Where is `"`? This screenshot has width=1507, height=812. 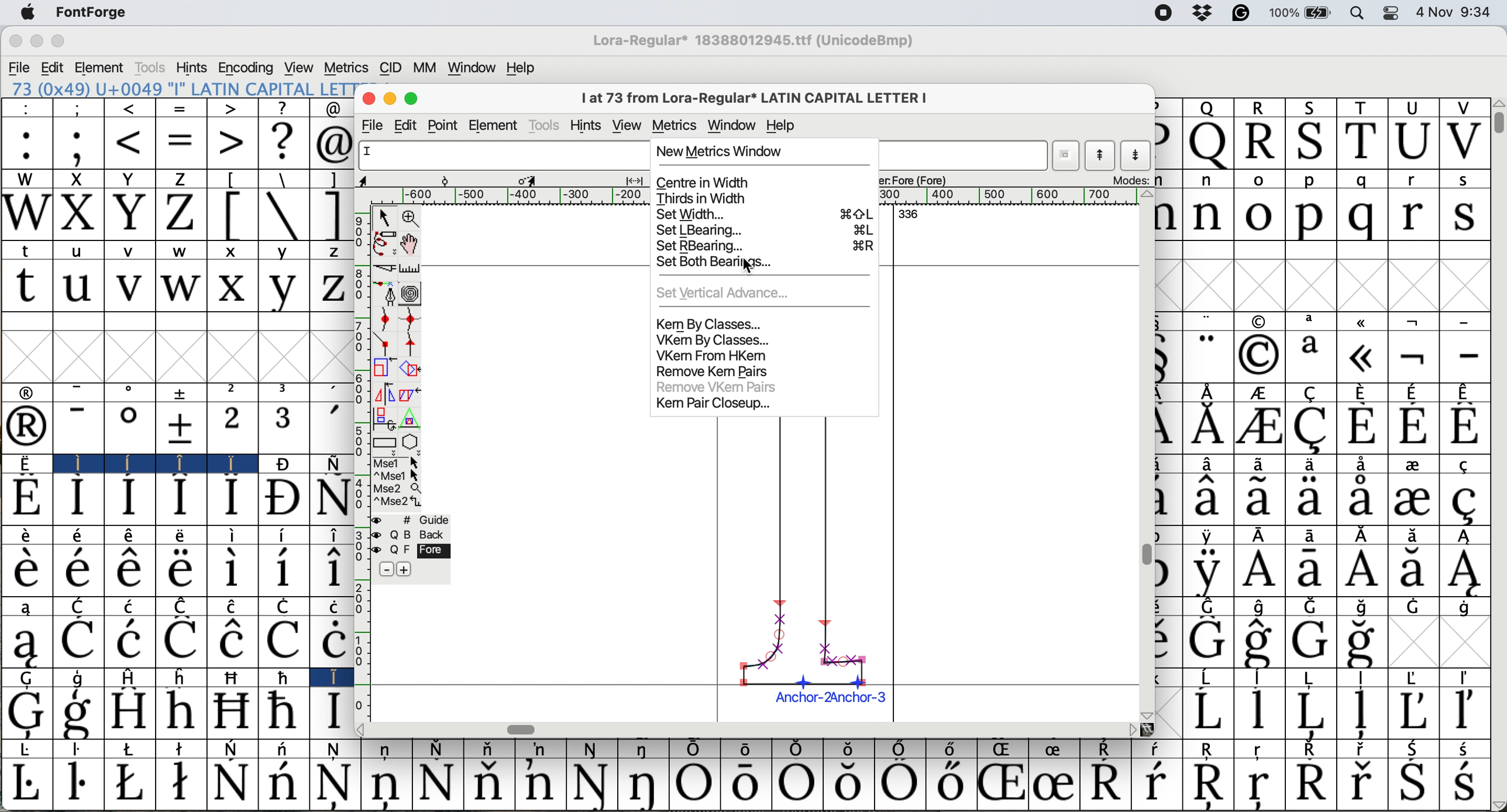
" is located at coordinates (1210, 320).